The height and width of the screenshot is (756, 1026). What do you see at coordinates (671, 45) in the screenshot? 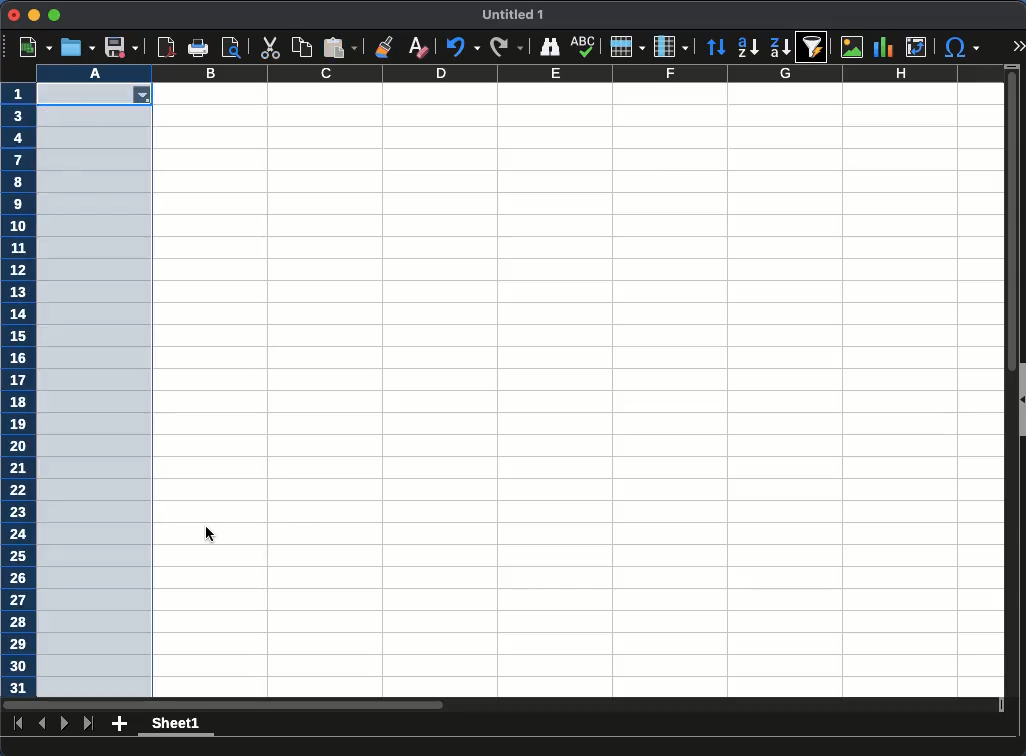
I see `column` at bounding box center [671, 45].